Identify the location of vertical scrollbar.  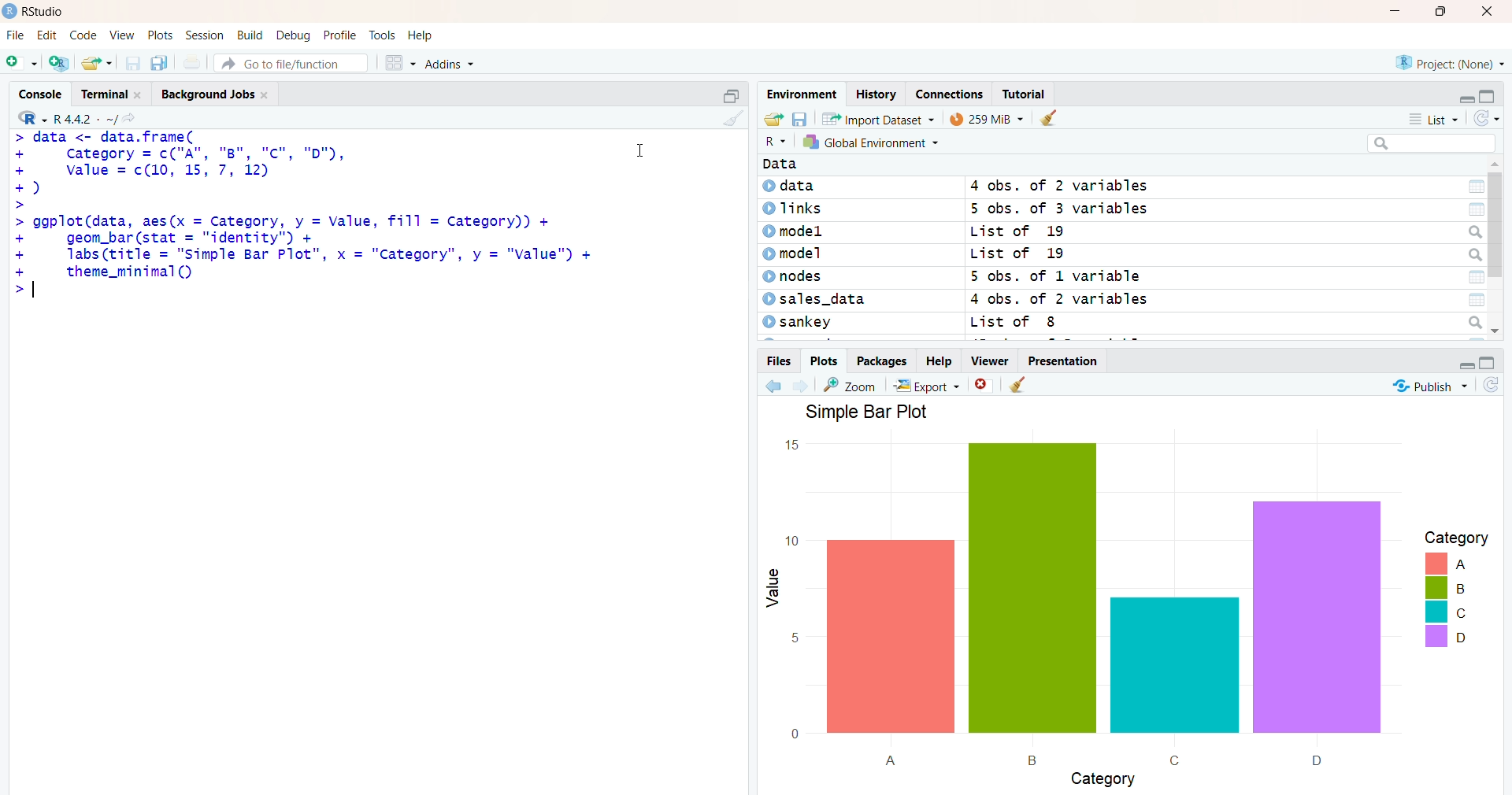
(1495, 219).